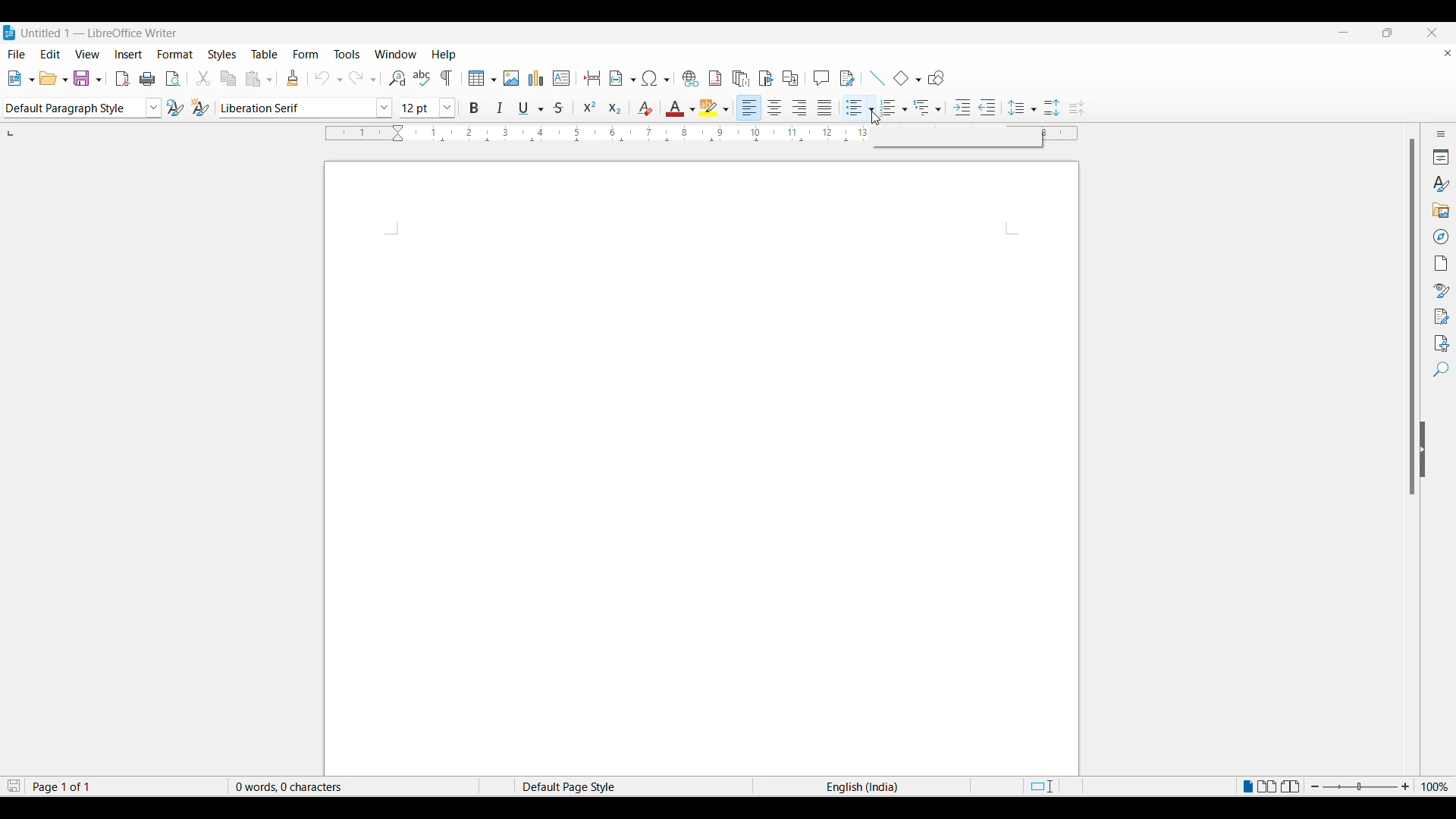  Describe the element at coordinates (149, 79) in the screenshot. I see `print` at that location.